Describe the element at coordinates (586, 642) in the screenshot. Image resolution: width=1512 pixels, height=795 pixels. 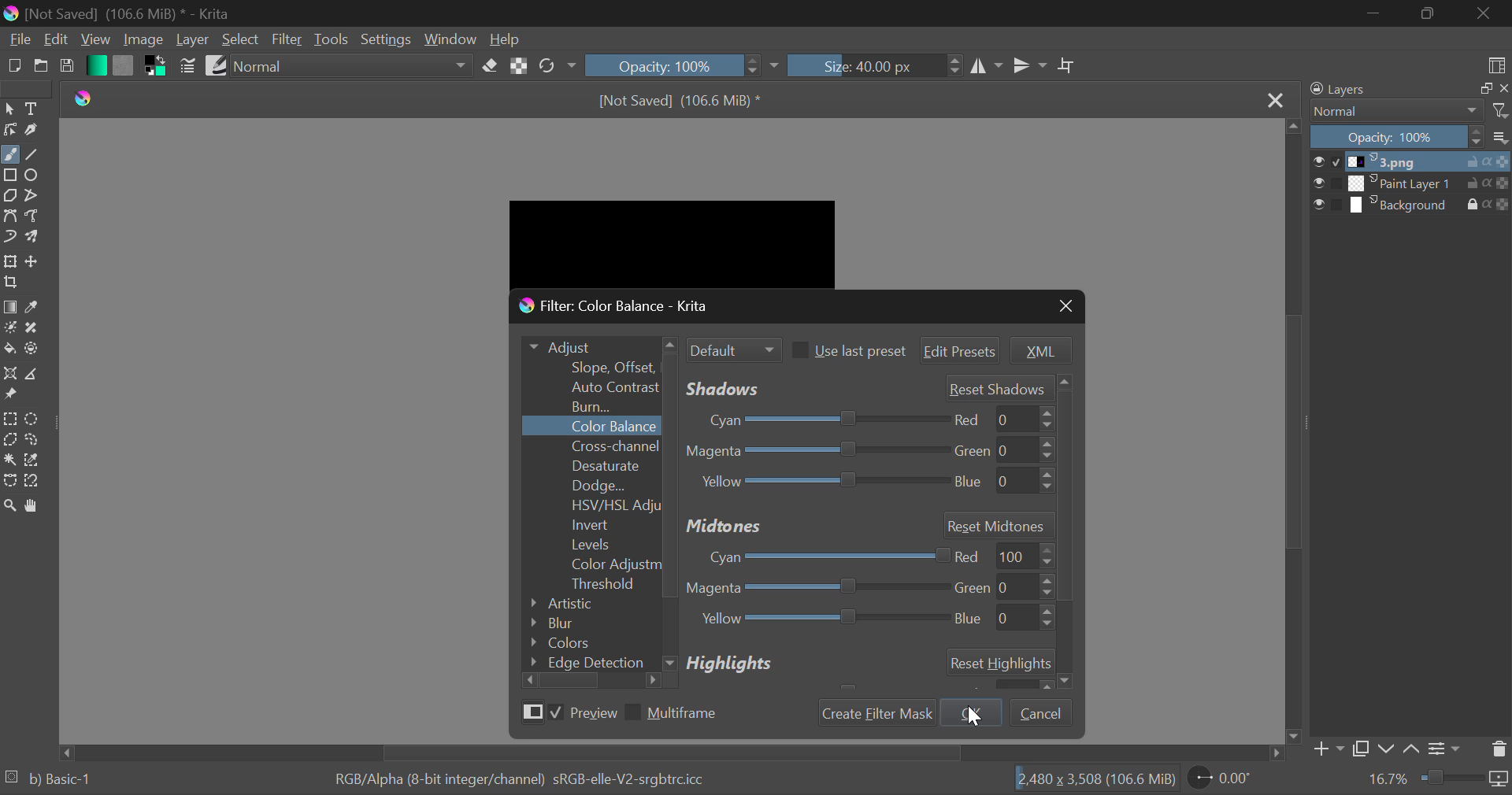
I see `Colors` at that location.